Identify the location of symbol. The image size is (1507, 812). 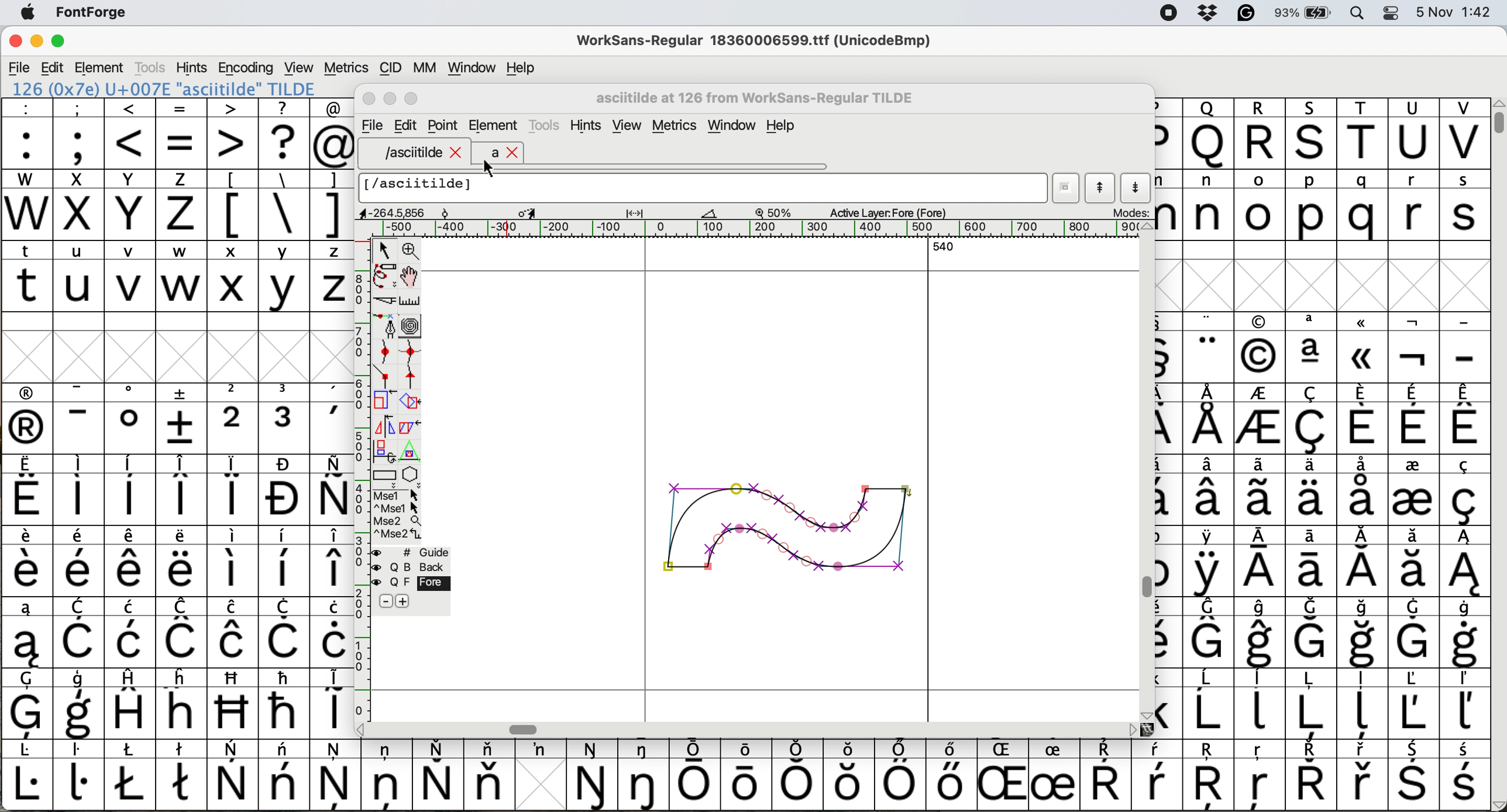
(1415, 349).